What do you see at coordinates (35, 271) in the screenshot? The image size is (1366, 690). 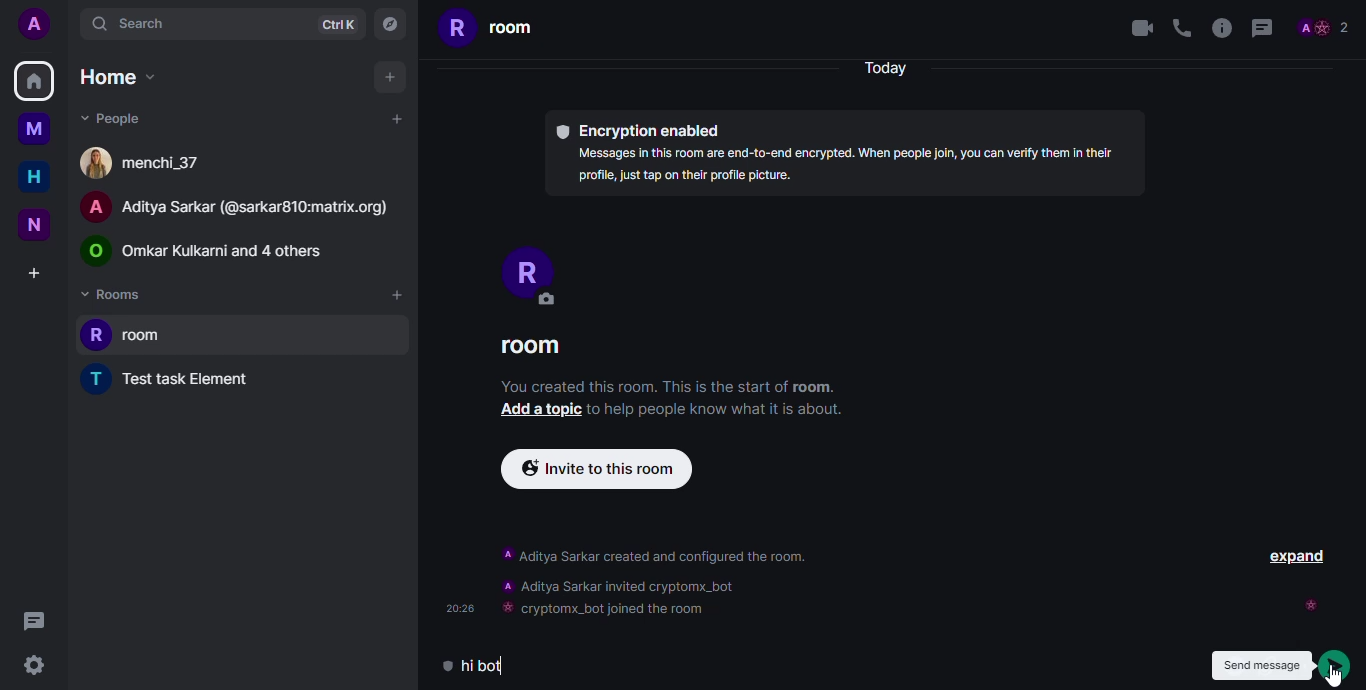 I see `create a space` at bounding box center [35, 271].